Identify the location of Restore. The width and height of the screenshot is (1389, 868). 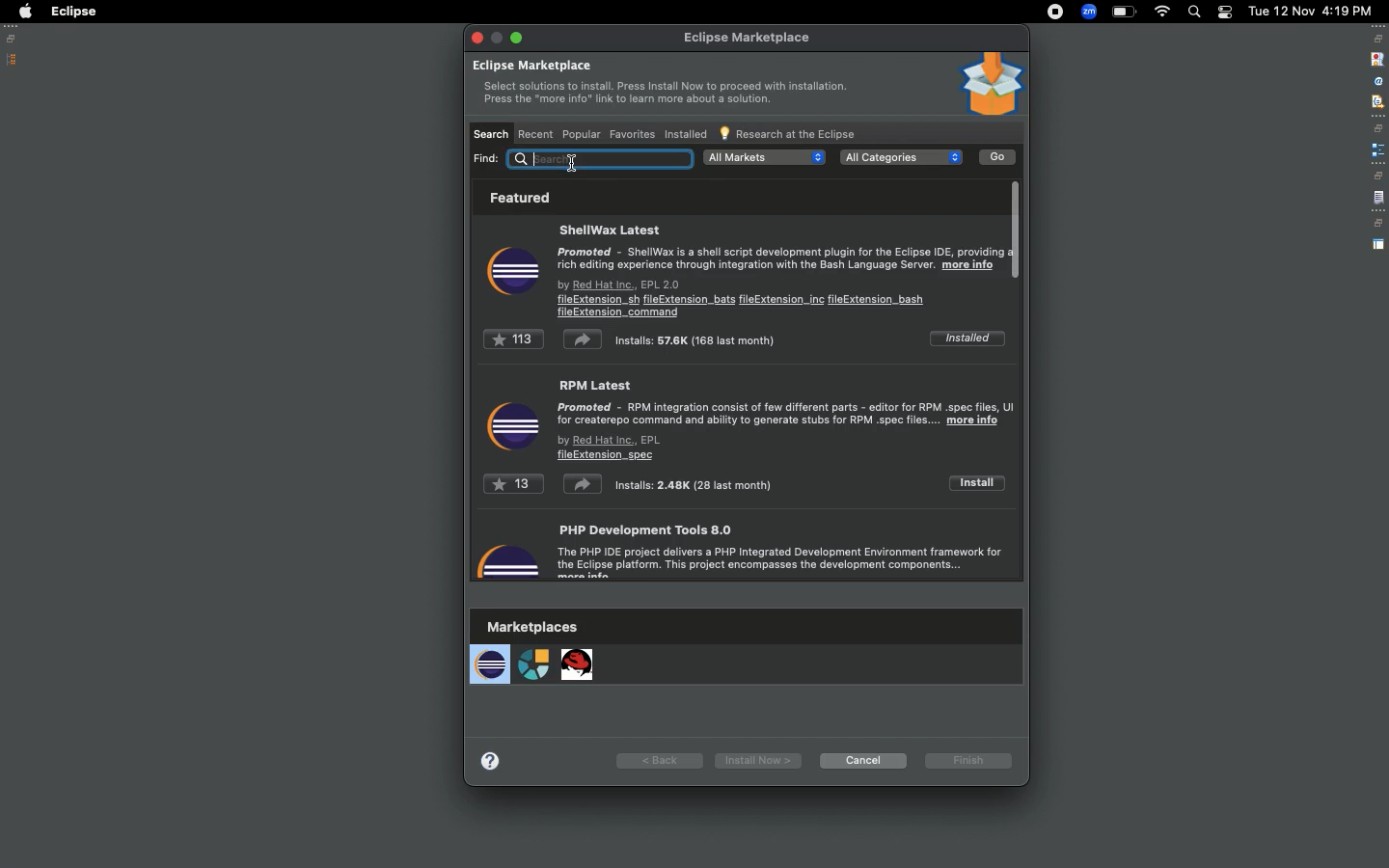
(14, 39).